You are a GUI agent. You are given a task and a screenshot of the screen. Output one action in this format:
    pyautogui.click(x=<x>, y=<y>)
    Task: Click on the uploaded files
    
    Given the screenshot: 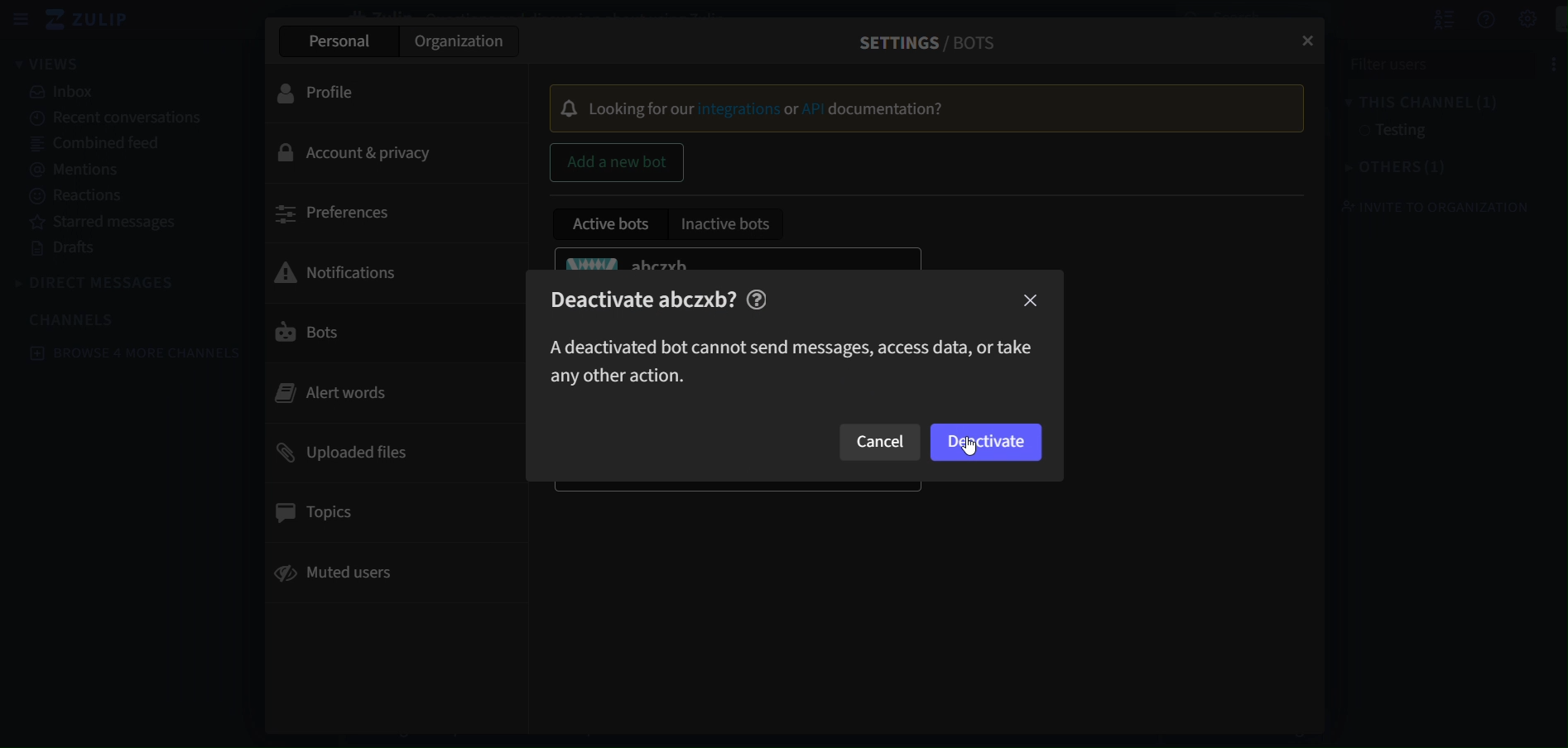 What is the action you would take?
    pyautogui.click(x=338, y=453)
    